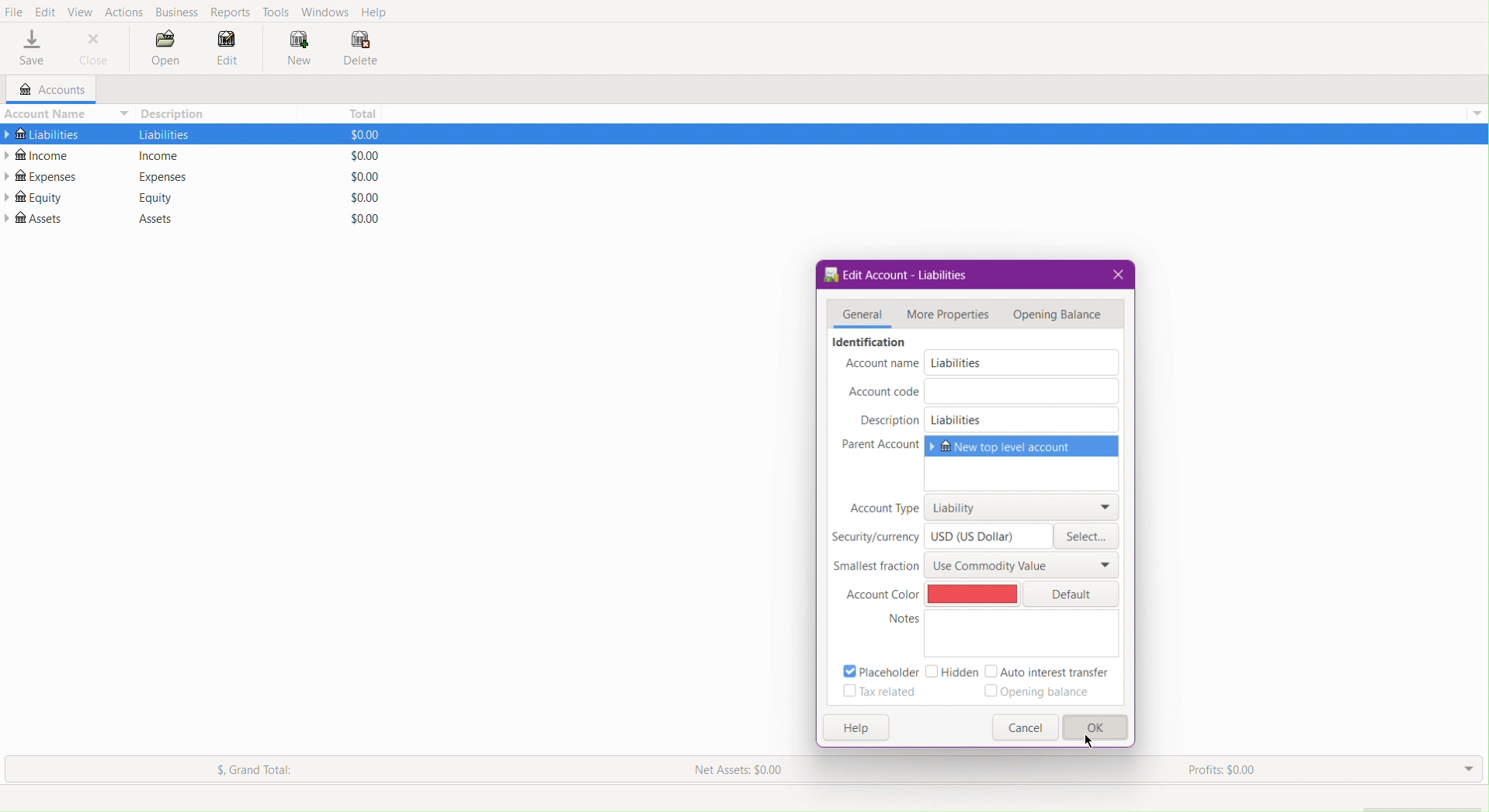 This screenshot has width=1489, height=812. Describe the element at coordinates (904, 620) in the screenshot. I see `notes` at that location.